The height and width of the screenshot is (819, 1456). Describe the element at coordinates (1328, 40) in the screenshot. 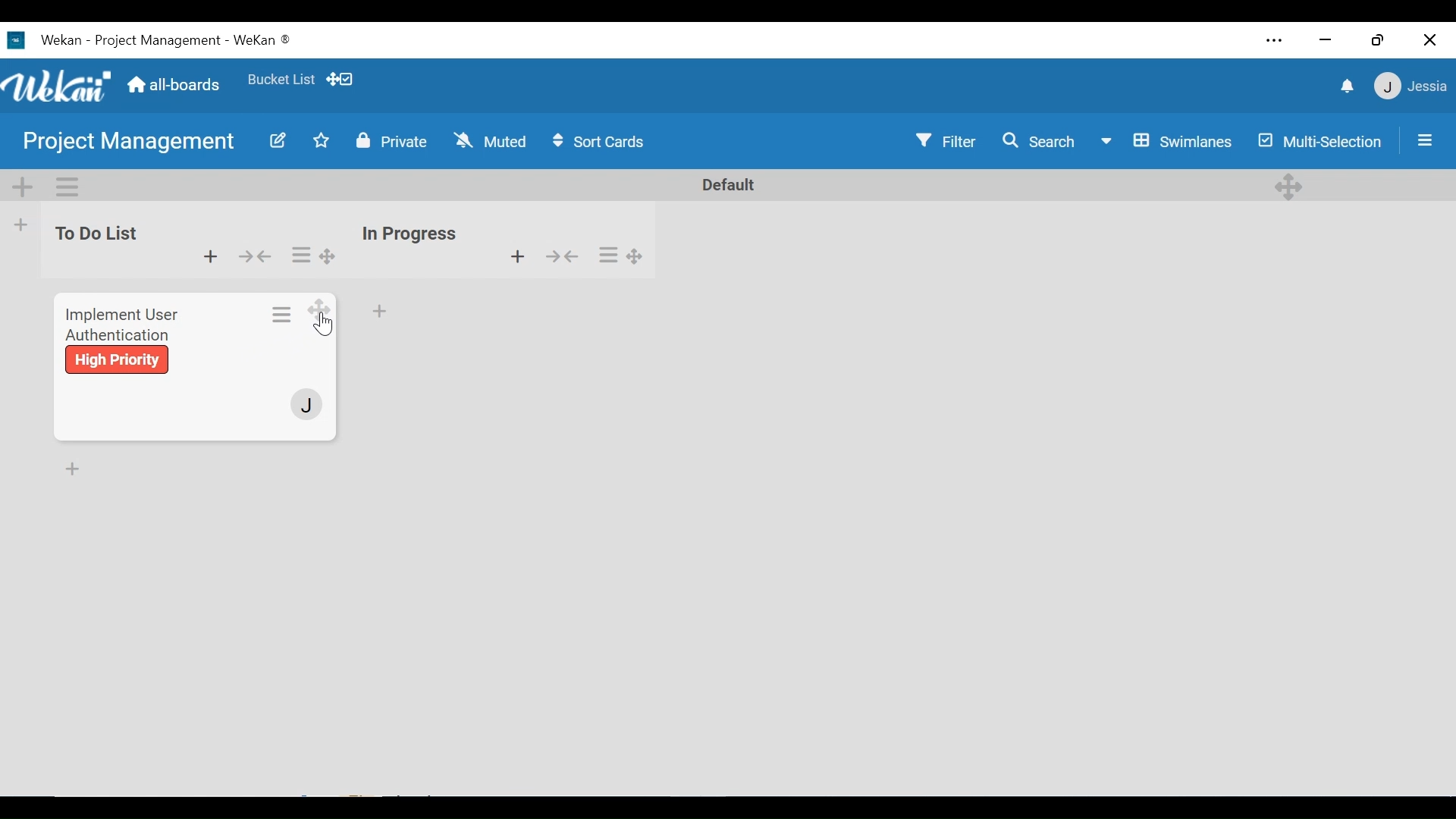

I see `minimize` at that location.